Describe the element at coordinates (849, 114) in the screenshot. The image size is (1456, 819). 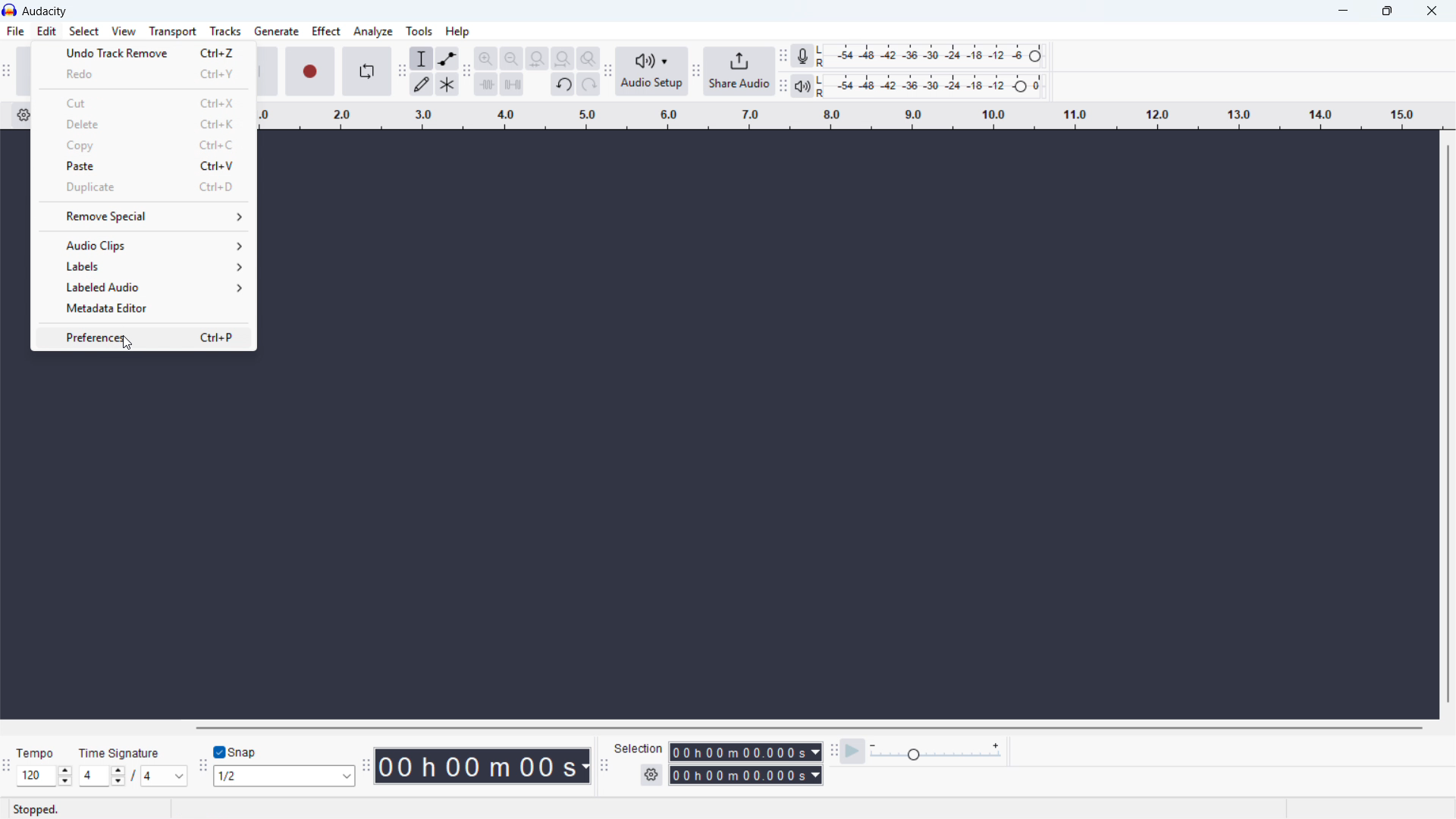
I see `timeline` at that location.